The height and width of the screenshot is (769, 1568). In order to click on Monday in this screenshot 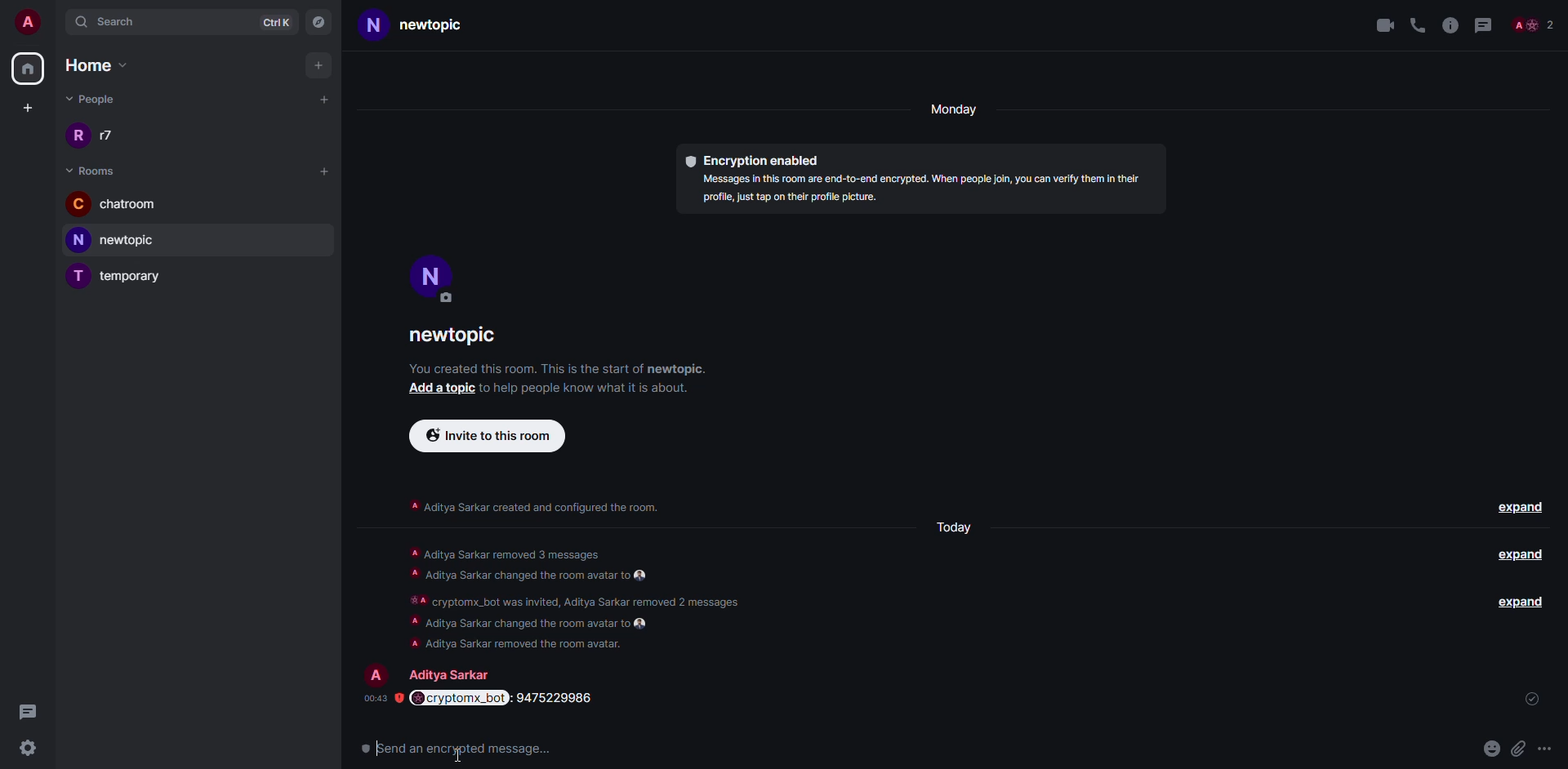, I will do `click(956, 109)`.